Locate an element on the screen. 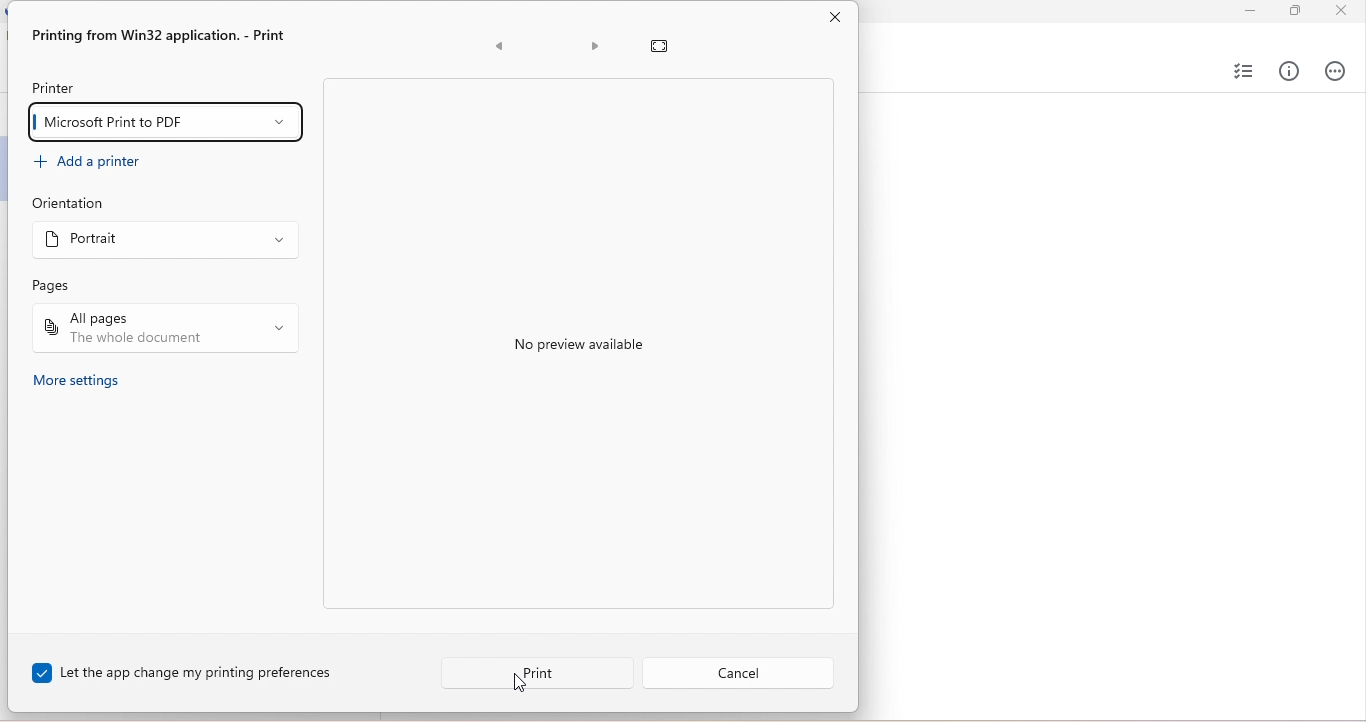 Image resolution: width=1366 pixels, height=722 pixels. cursor movement is located at coordinates (521, 683).